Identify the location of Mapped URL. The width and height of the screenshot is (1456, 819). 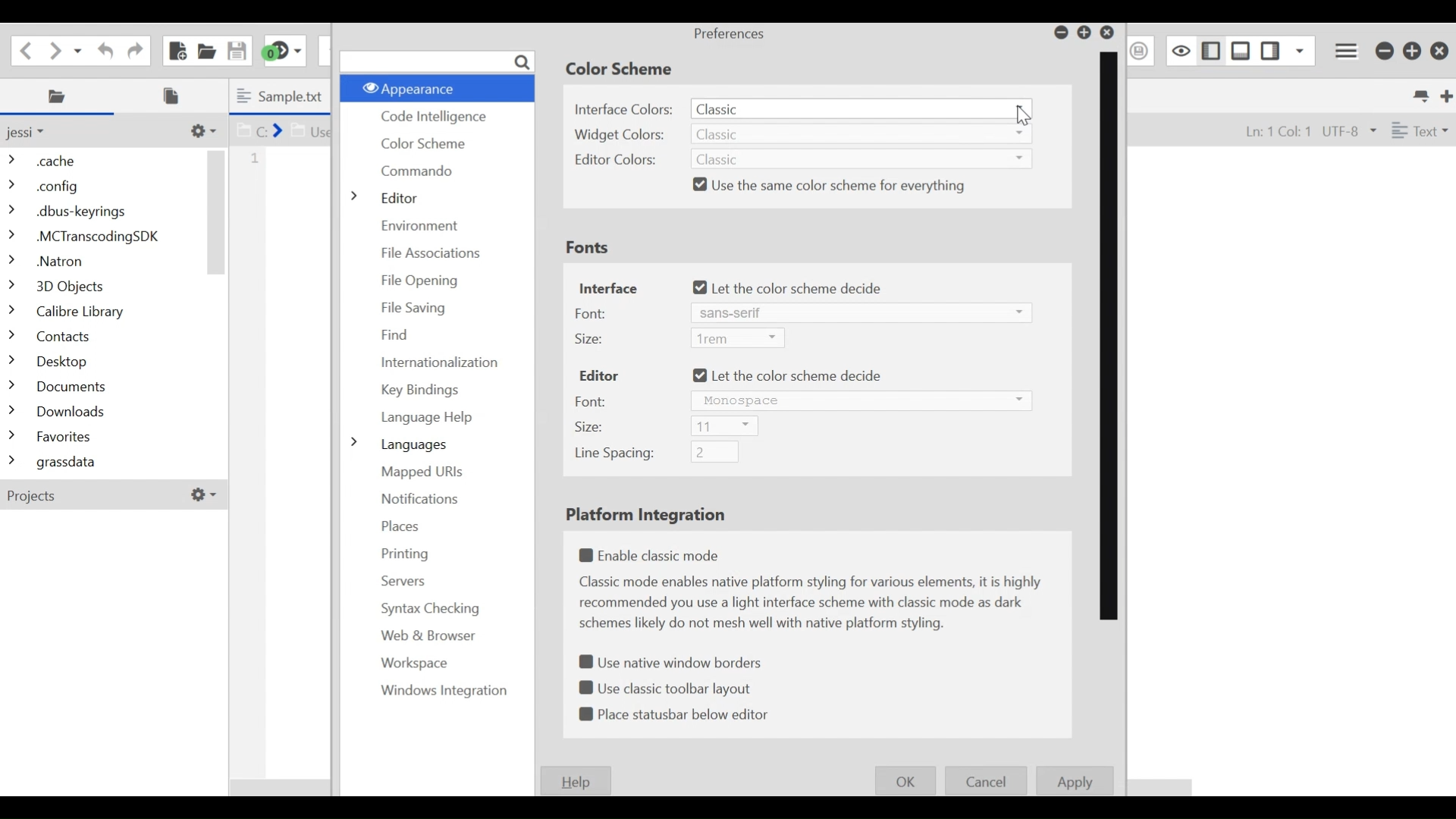
(422, 472).